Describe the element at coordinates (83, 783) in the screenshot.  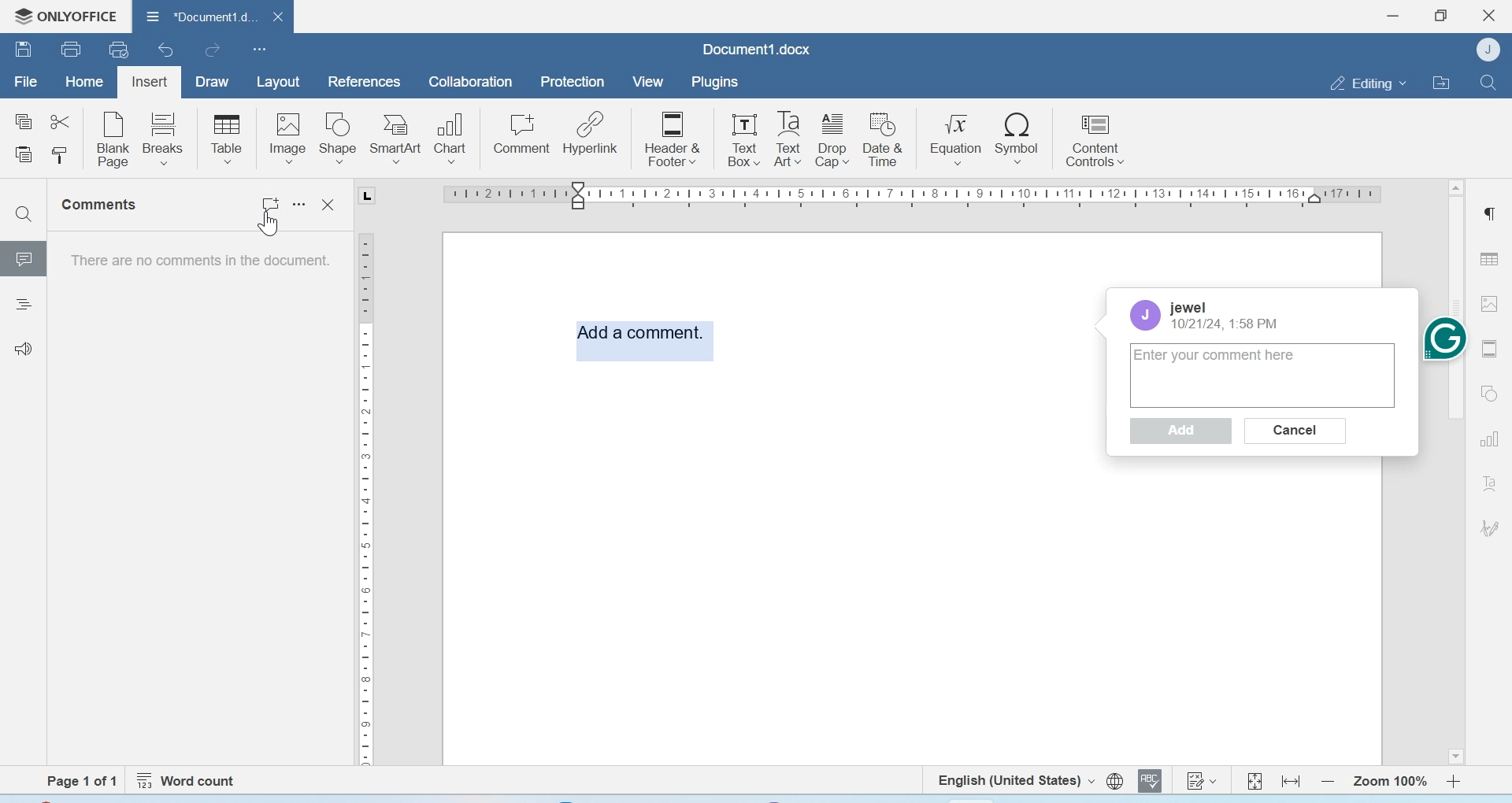
I see `page` at that location.